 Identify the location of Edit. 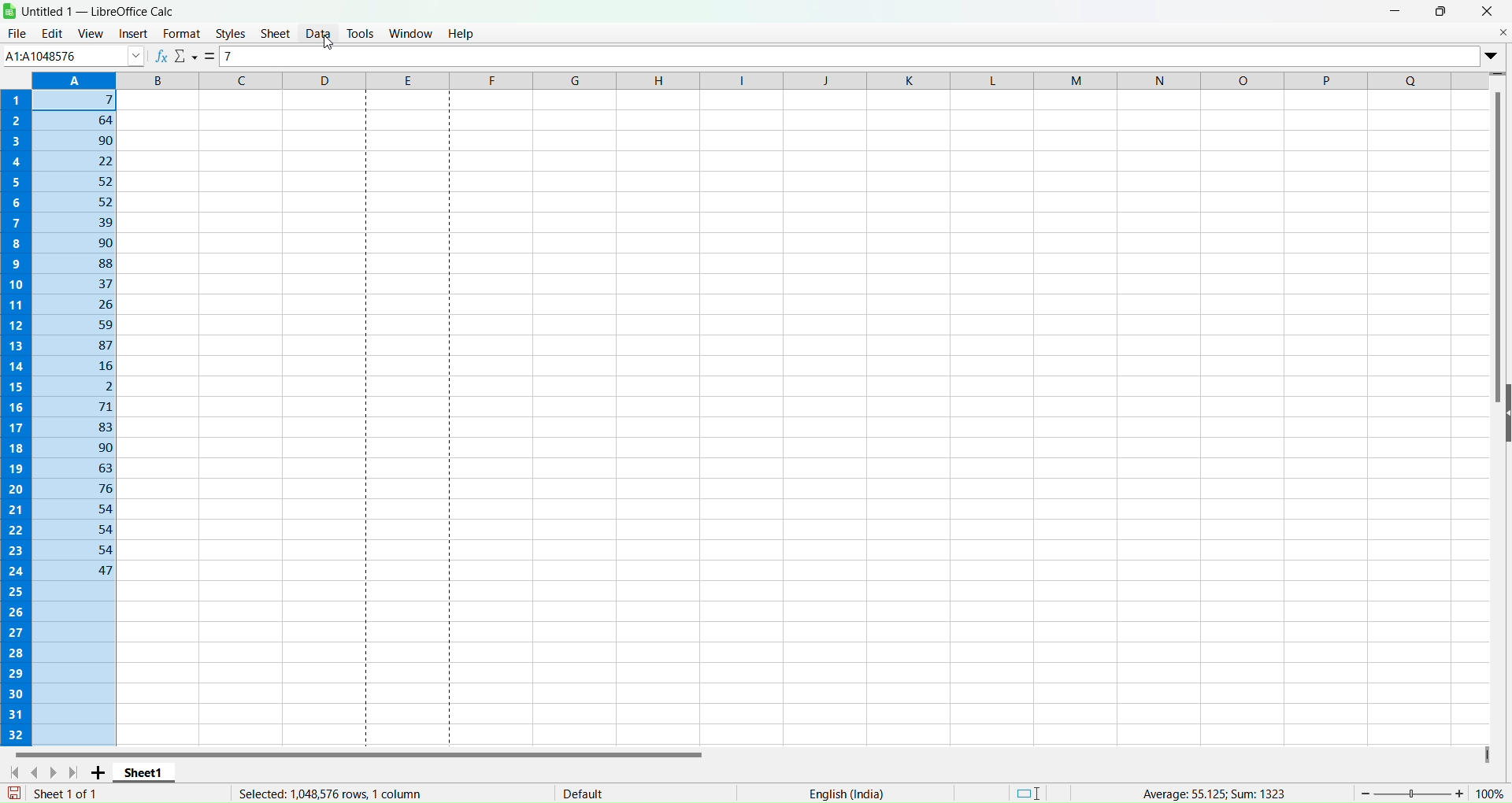
(51, 33).